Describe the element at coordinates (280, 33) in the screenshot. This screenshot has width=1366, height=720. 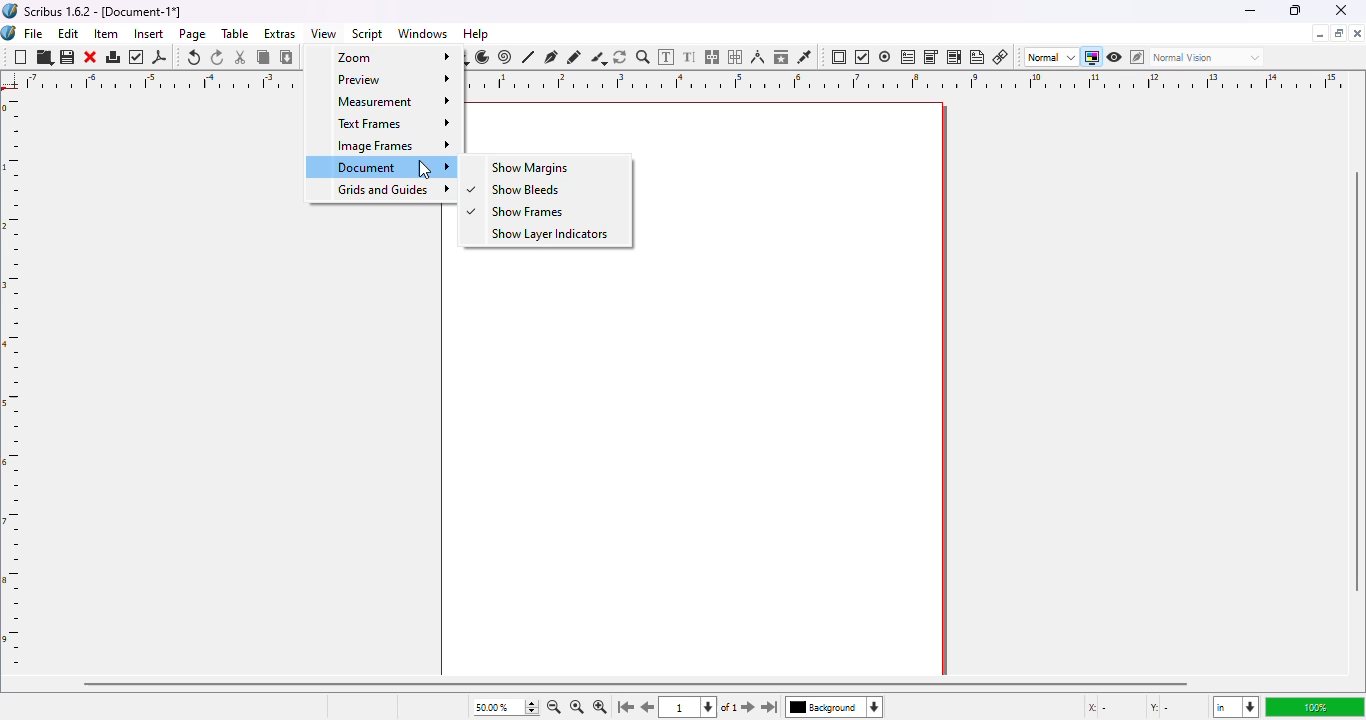
I see `extras` at that location.